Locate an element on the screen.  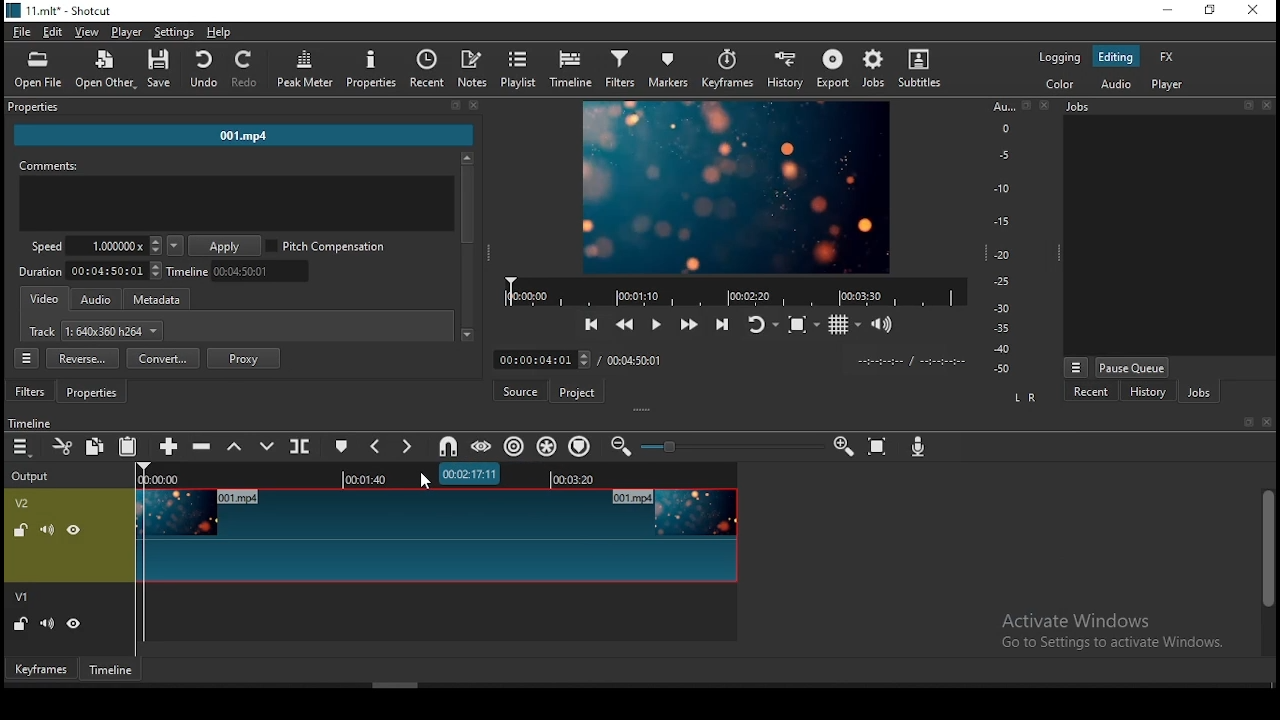
pause queue is located at coordinates (1132, 367).